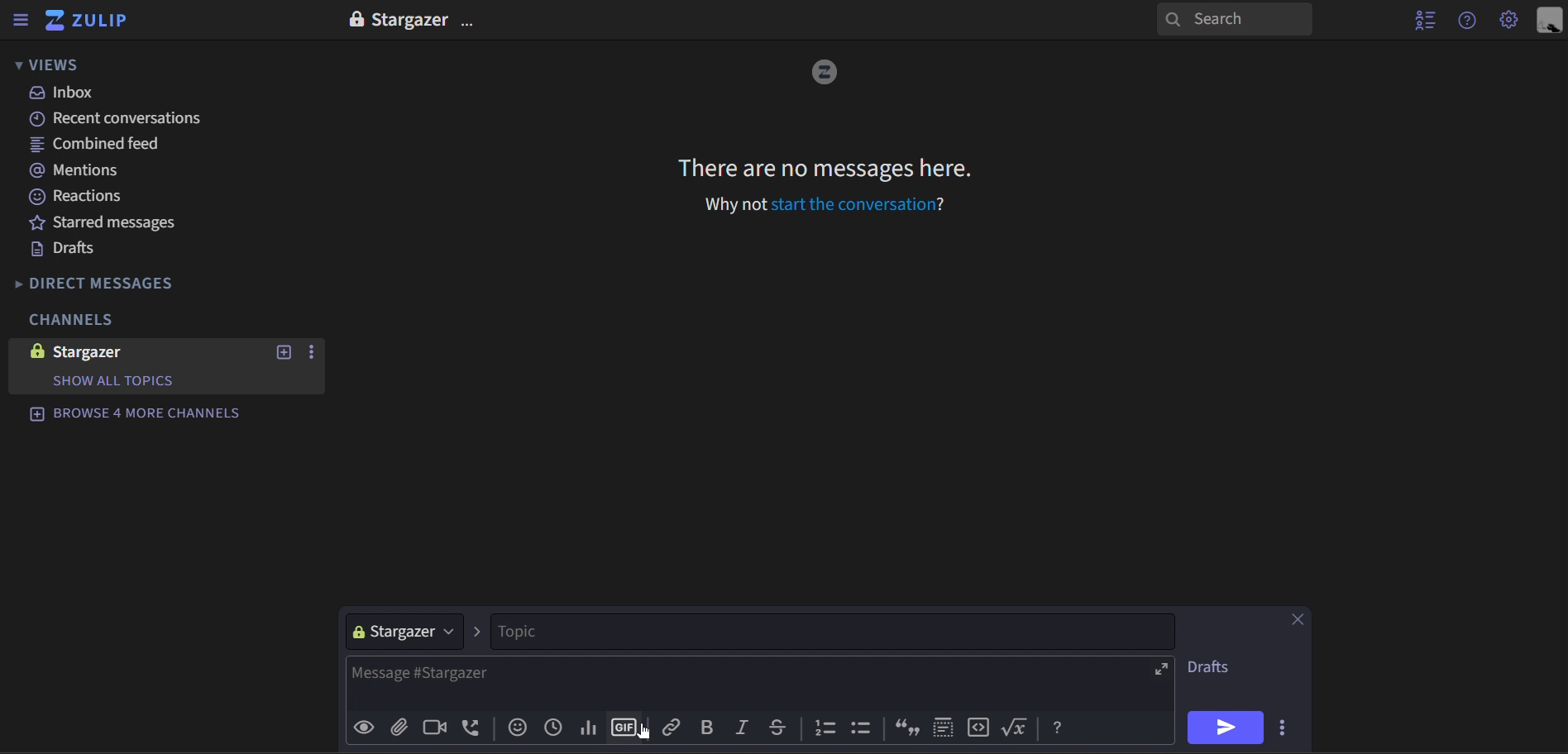 Image resolution: width=1568 pixels, height=754 pixels. I want to click on options, so click(1285, 726).